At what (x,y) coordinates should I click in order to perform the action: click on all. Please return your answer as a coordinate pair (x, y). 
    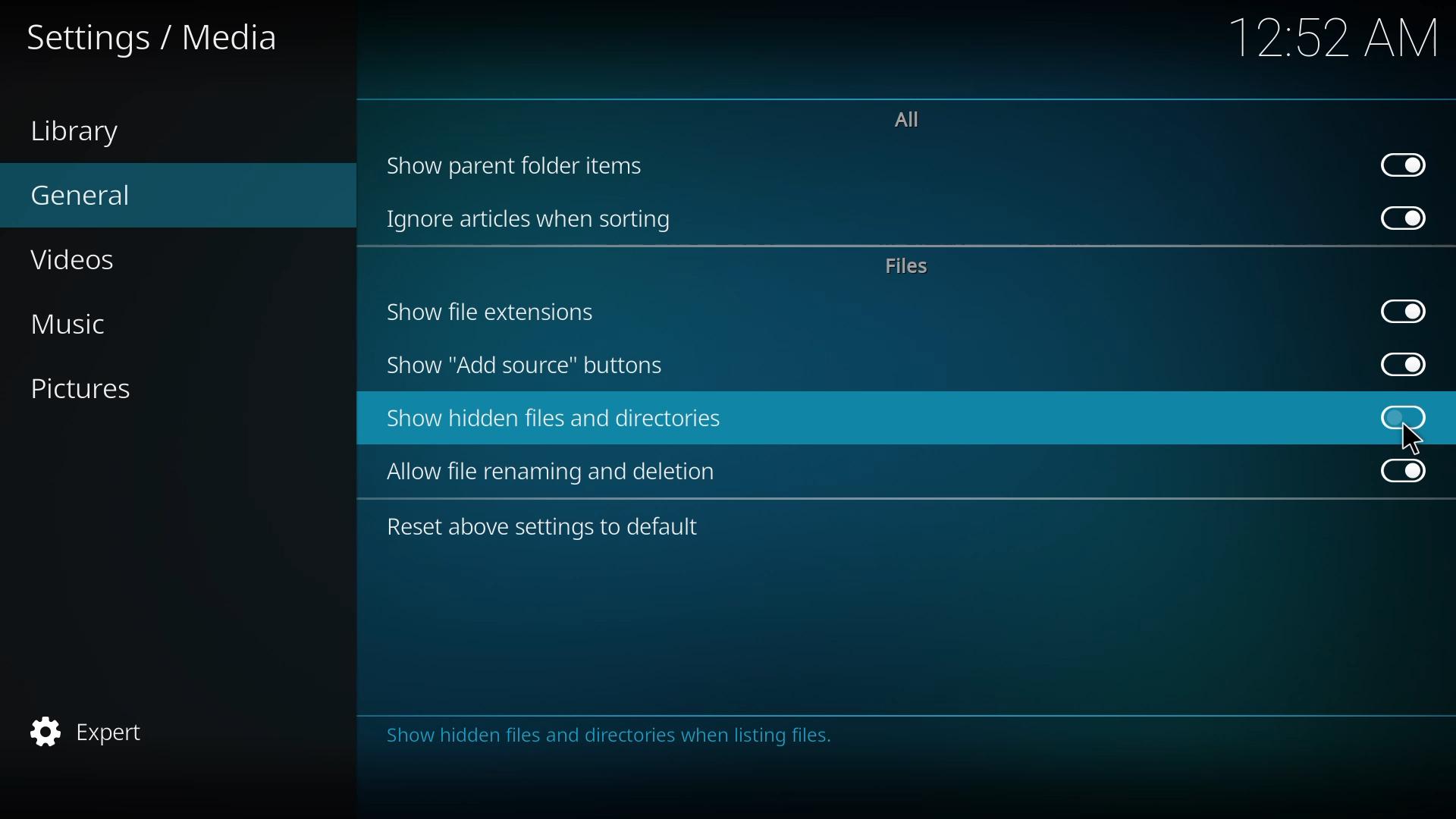
    Looking at the image, I should click on (912, 121).